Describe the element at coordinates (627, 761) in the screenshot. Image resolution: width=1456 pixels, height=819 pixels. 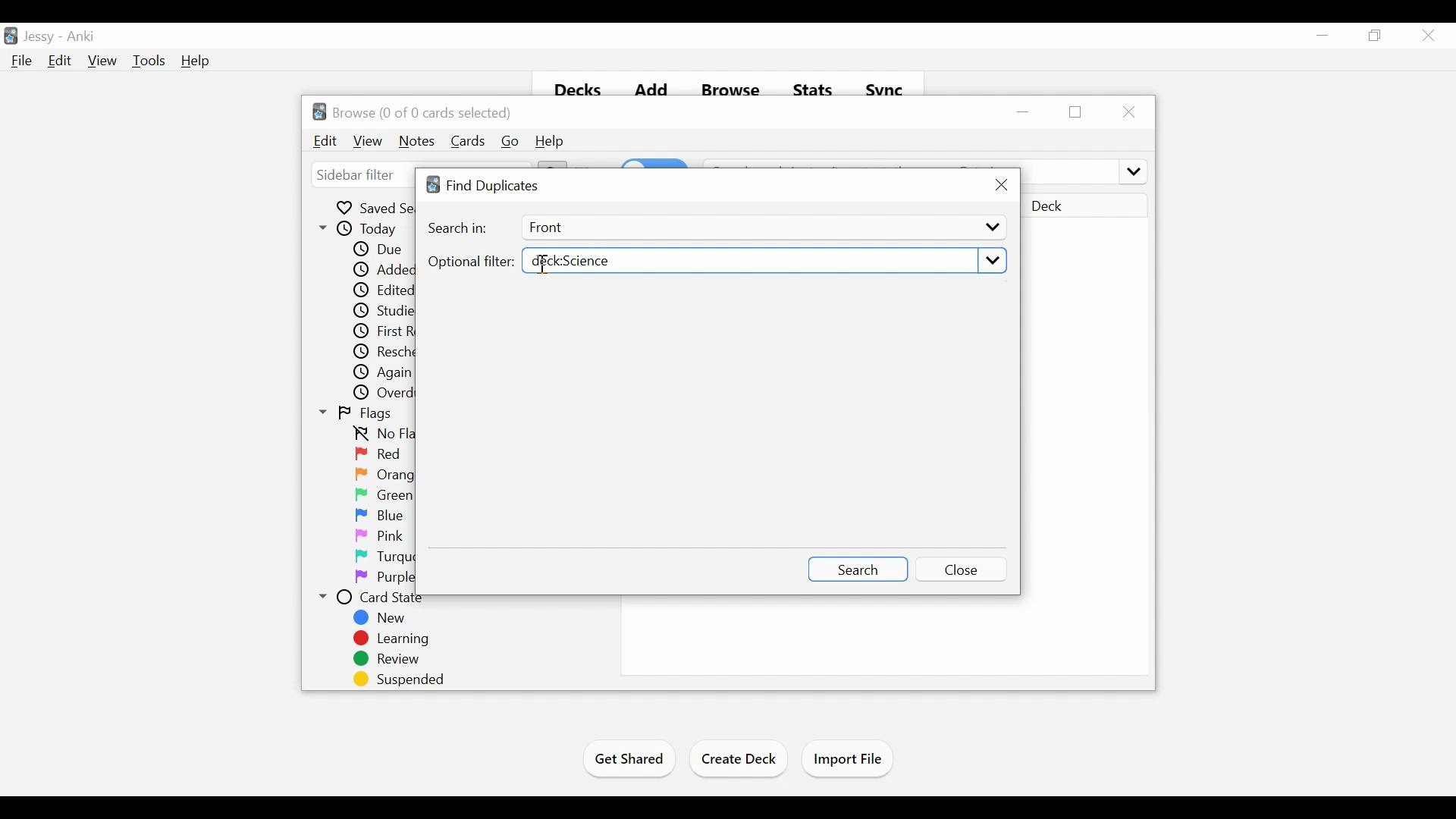
I see `Get Shared` at that location.